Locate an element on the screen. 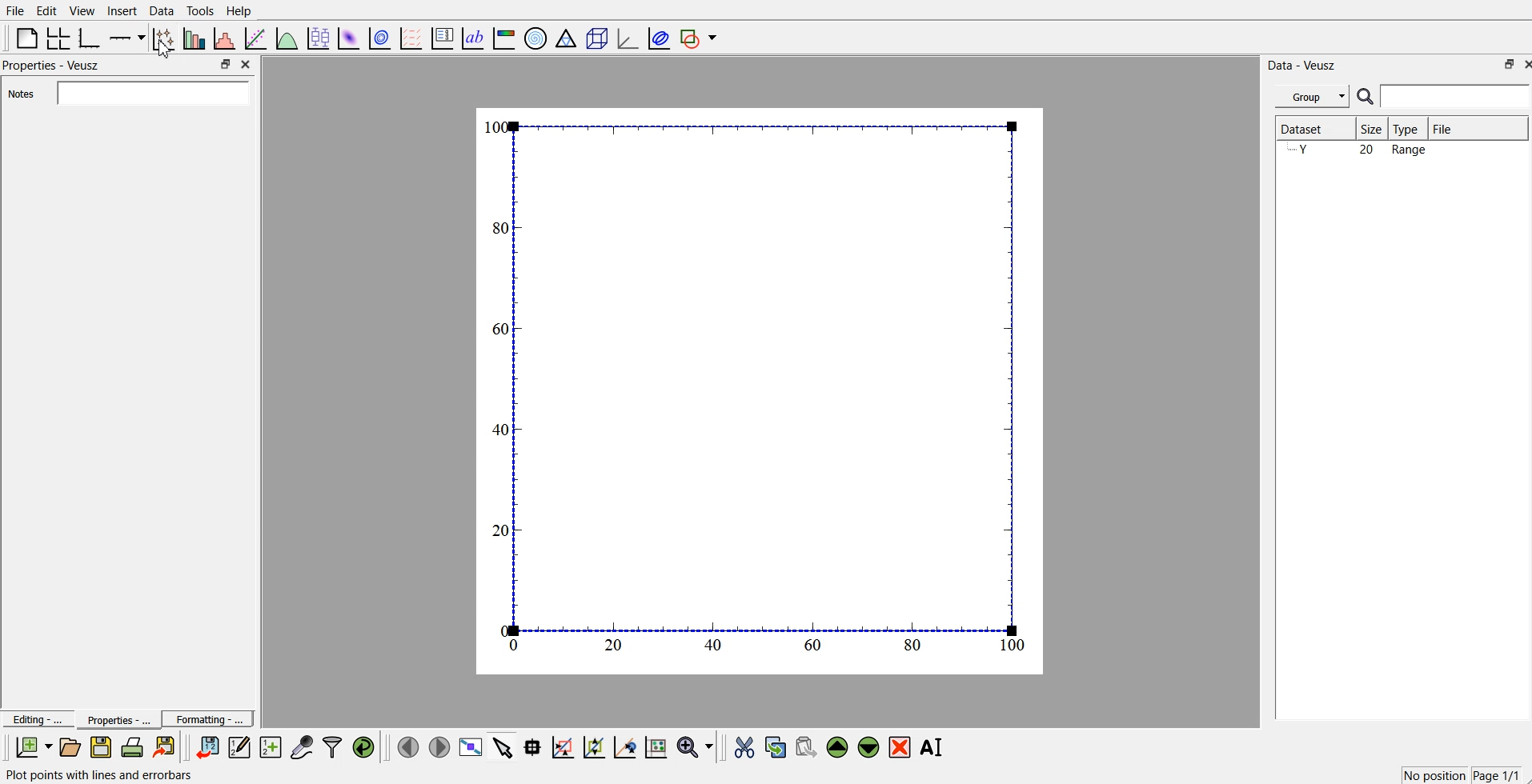 The width and height of the screenshot is (1532, 784). plot points with lines and errorbars is located at coordinates (118, 775).